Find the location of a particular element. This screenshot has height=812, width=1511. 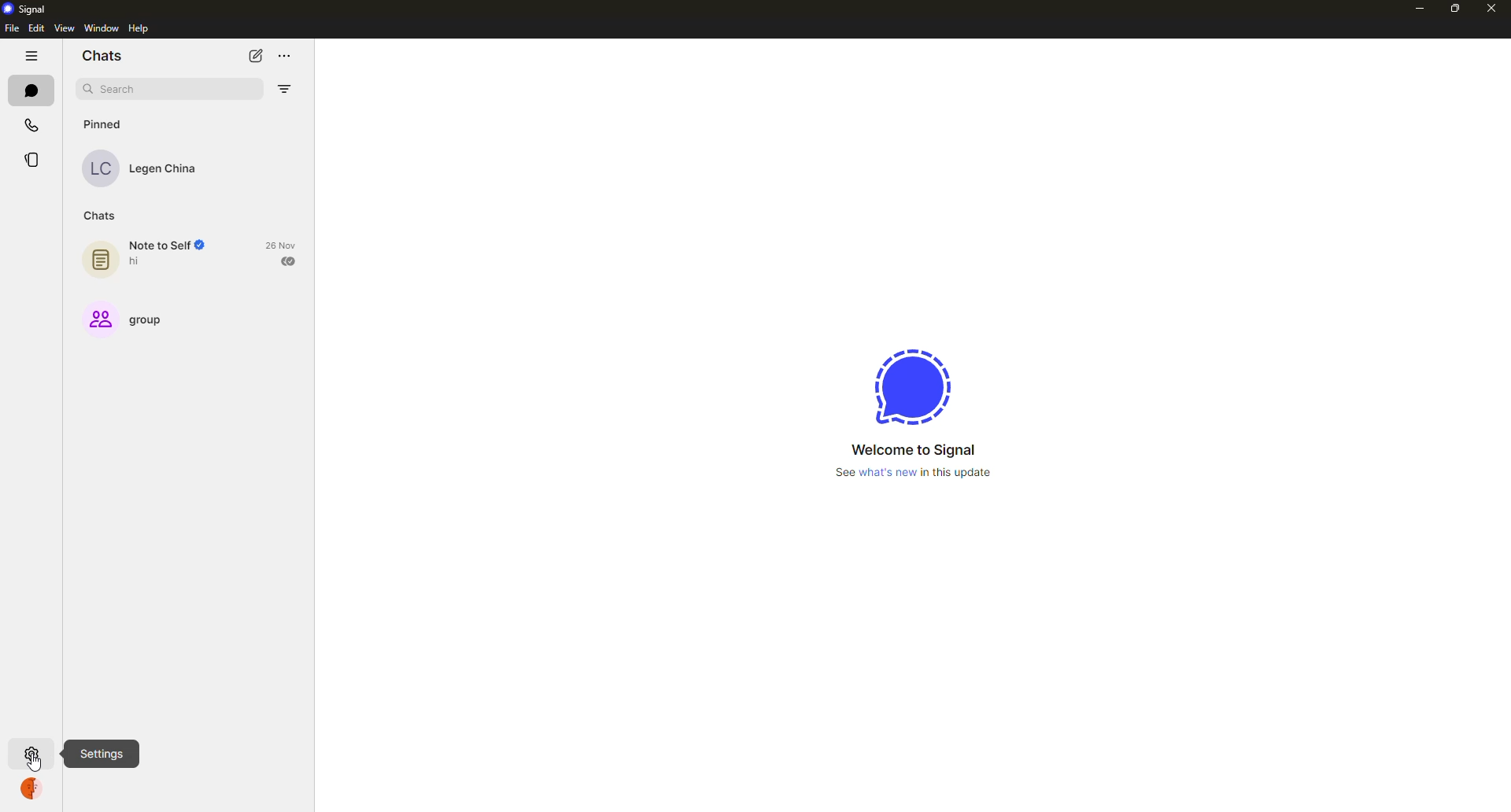

date is located at coordinates (283, 245).